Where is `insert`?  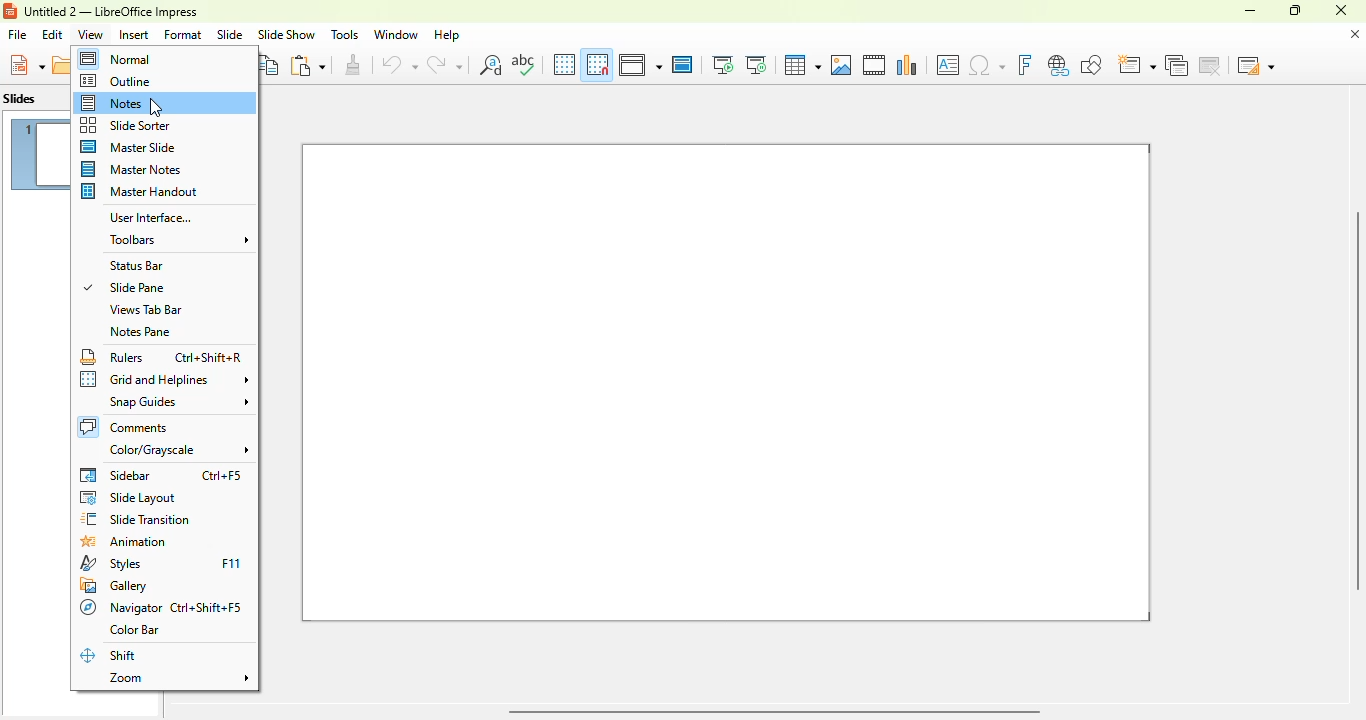 insert is located at coordinates (134, 35).